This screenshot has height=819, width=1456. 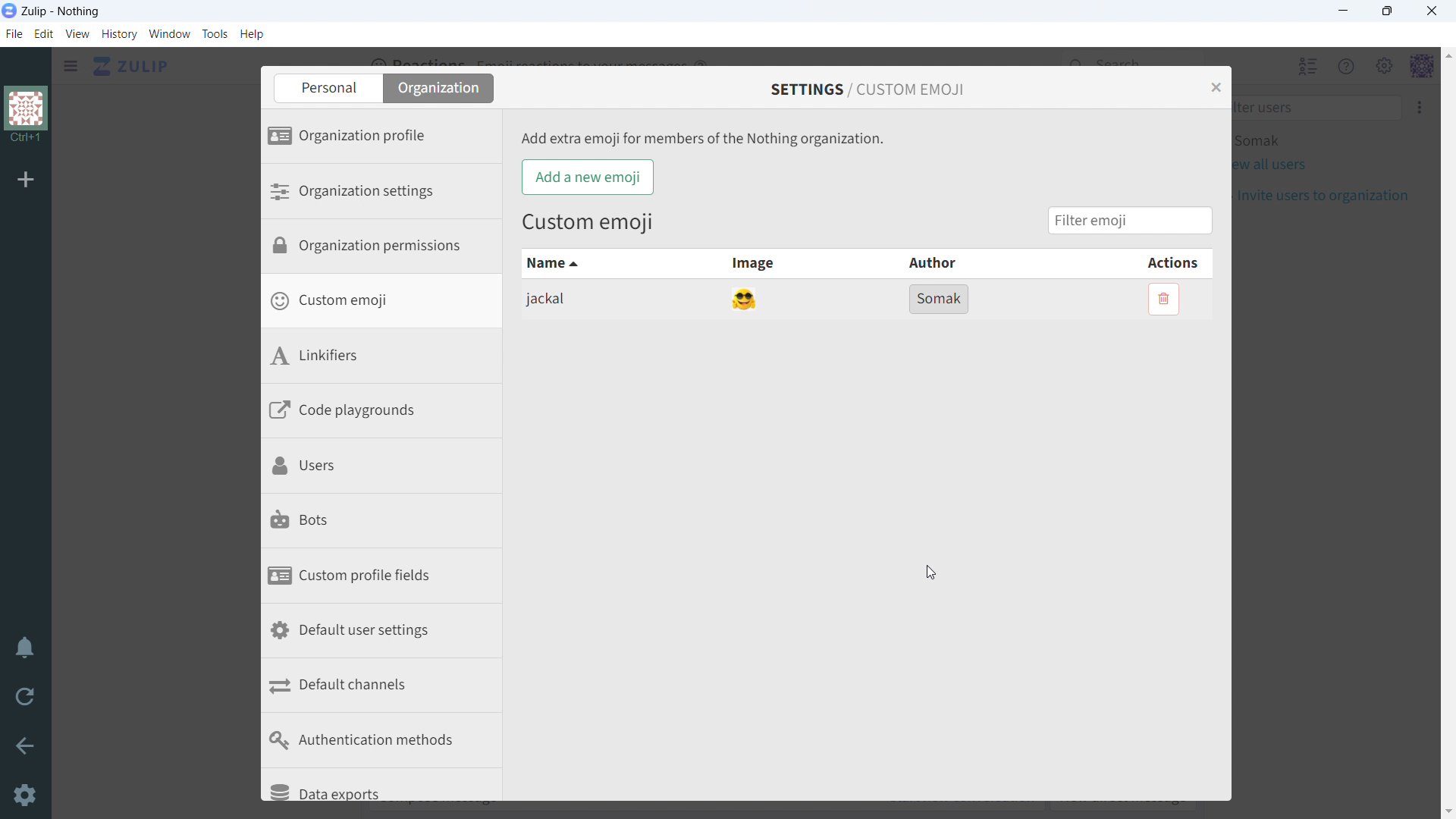 What do you see at coordinates (387, 359) in the screenshot?
I see `linkifiers` at bounding box center [387, 359].